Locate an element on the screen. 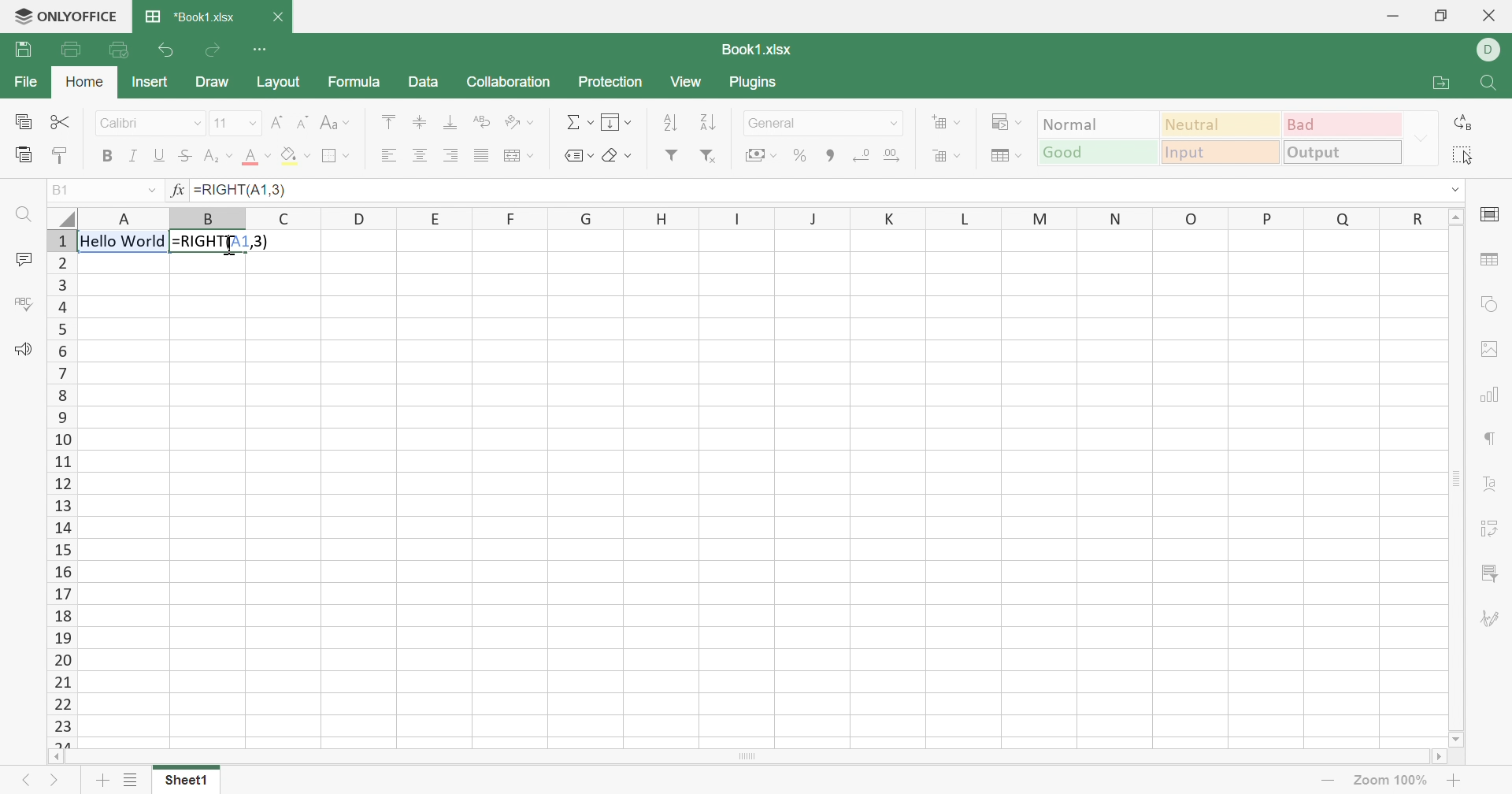 The width and height of the screenshot is (1512, 794). paragraph settings is located at coordinates (1491, 438).